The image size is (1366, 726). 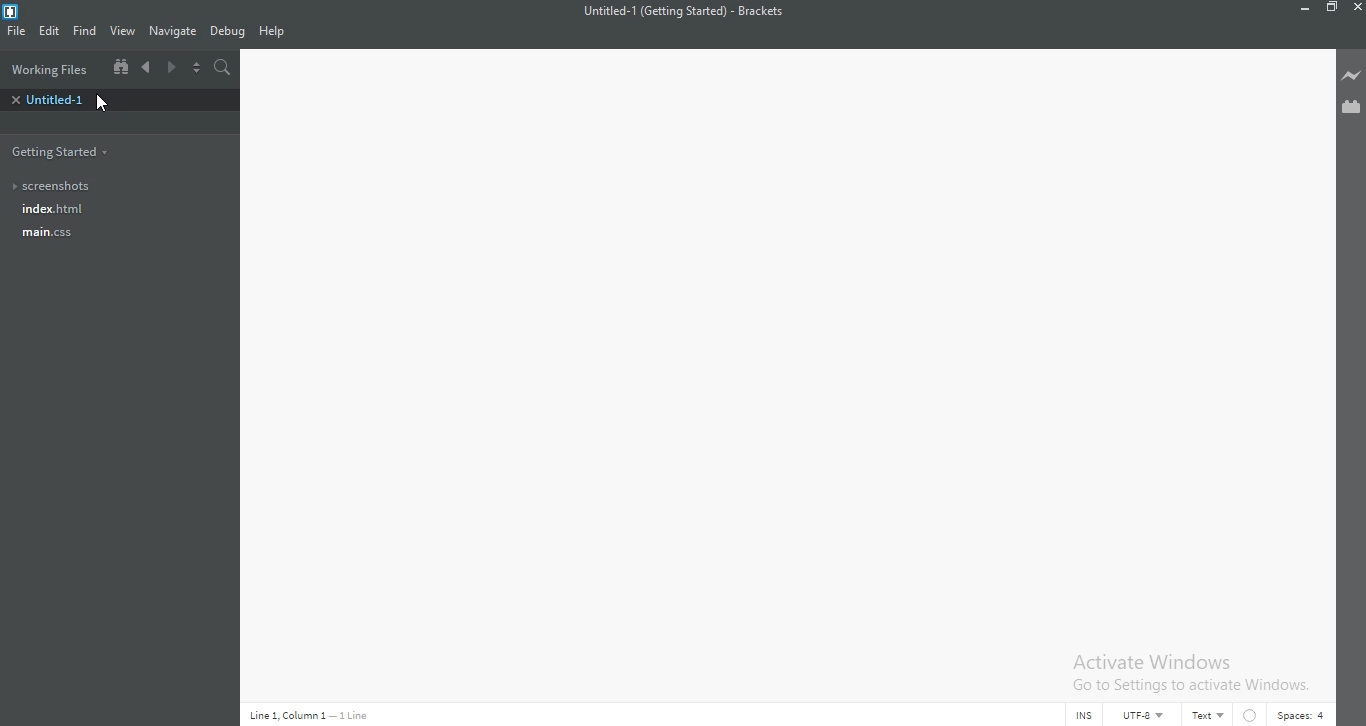 I want to click on No linter available, so click(x=1254, y=716).